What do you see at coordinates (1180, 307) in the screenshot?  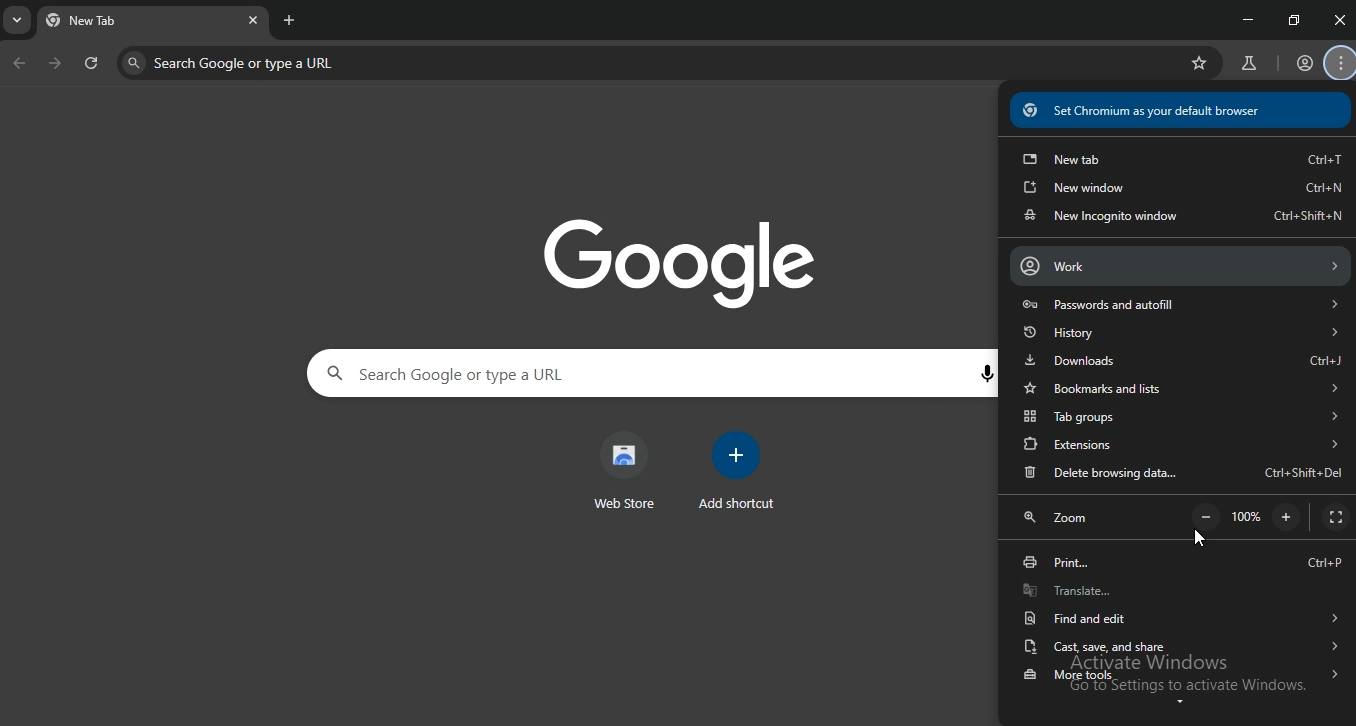 I see `passwords and autofill` at bounding box center [1180, 307].